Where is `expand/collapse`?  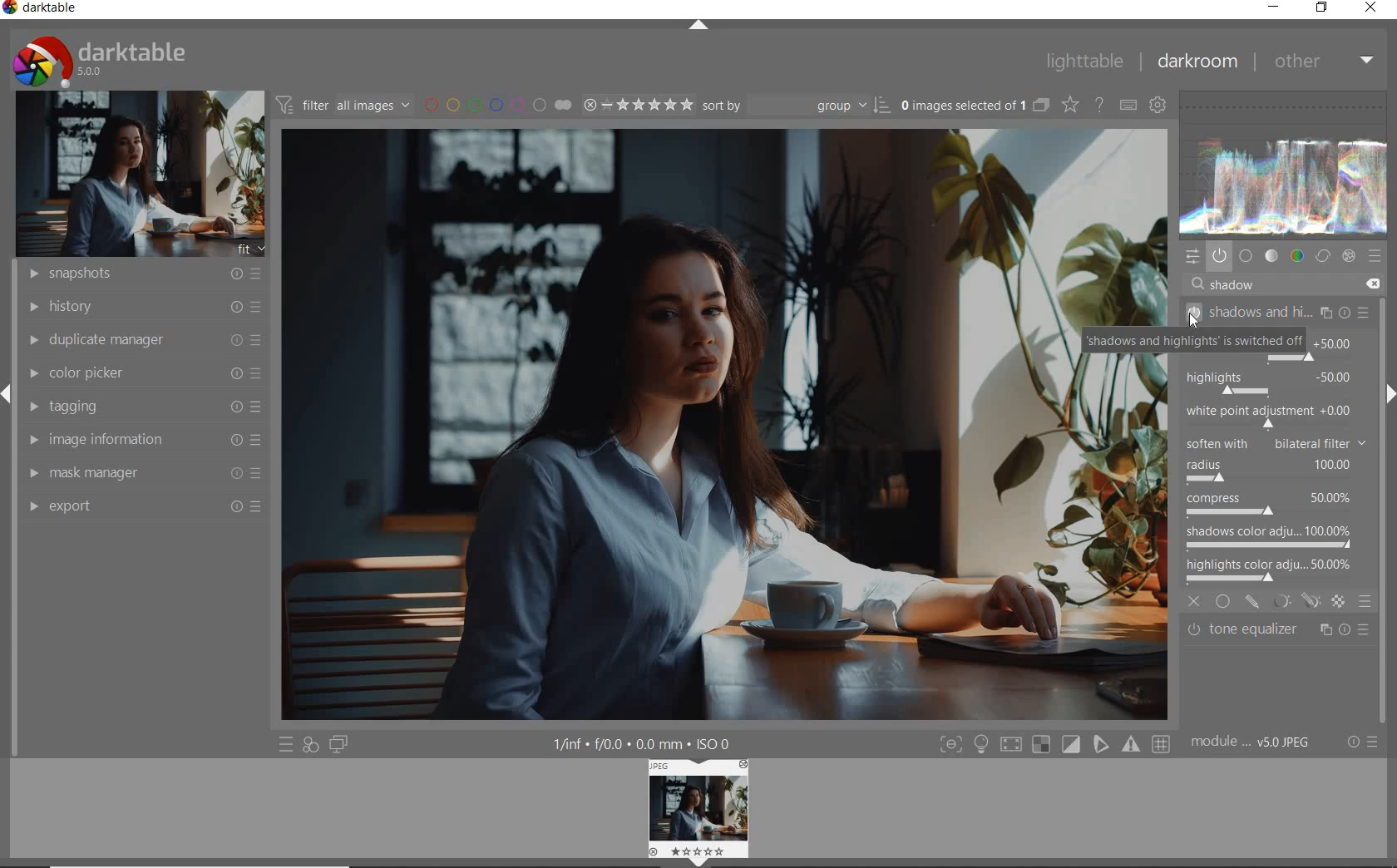 expand/collapse is located at coordinates (698, 27).